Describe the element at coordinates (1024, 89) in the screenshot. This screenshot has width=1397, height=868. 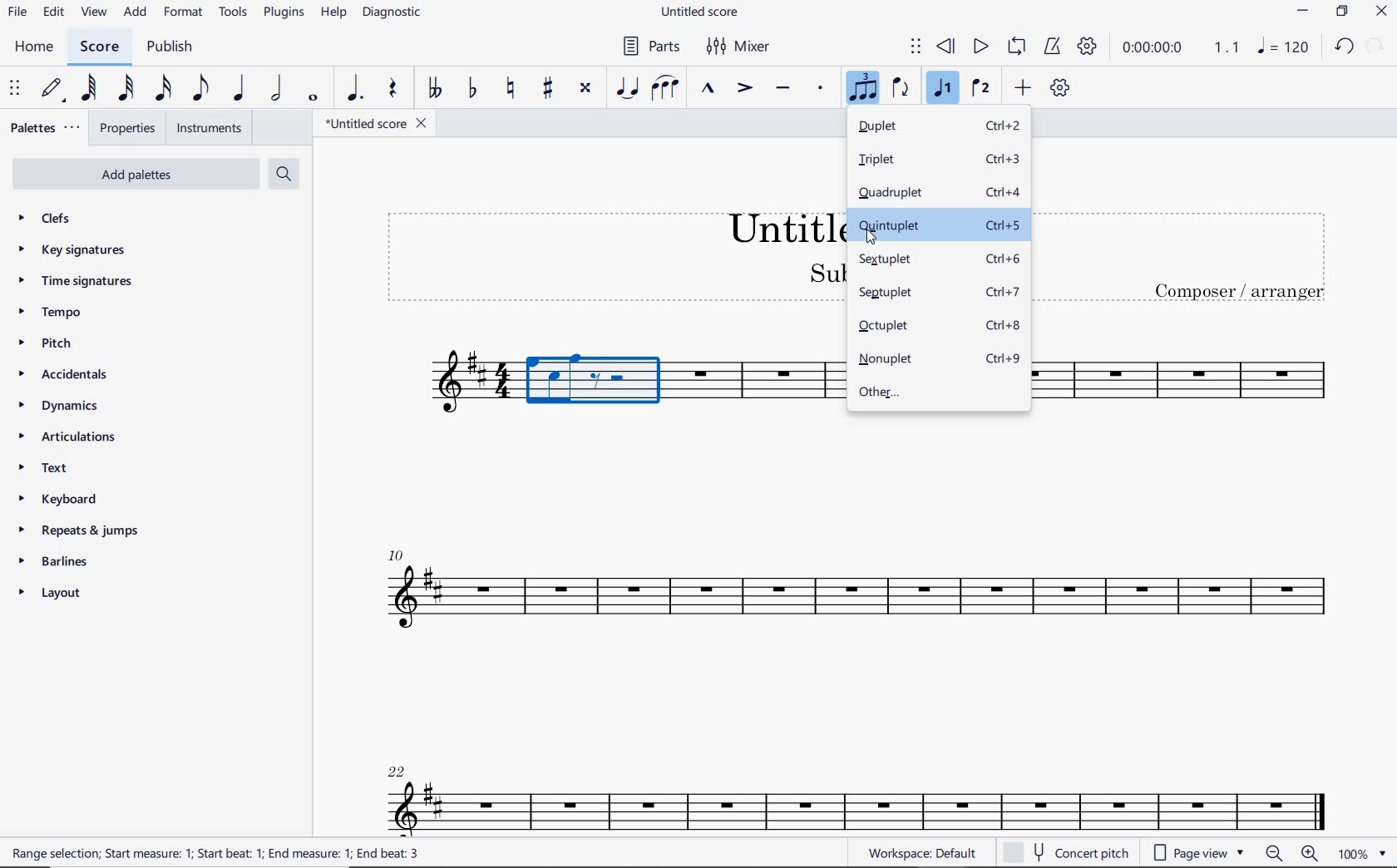
I see `ADD` at that location.